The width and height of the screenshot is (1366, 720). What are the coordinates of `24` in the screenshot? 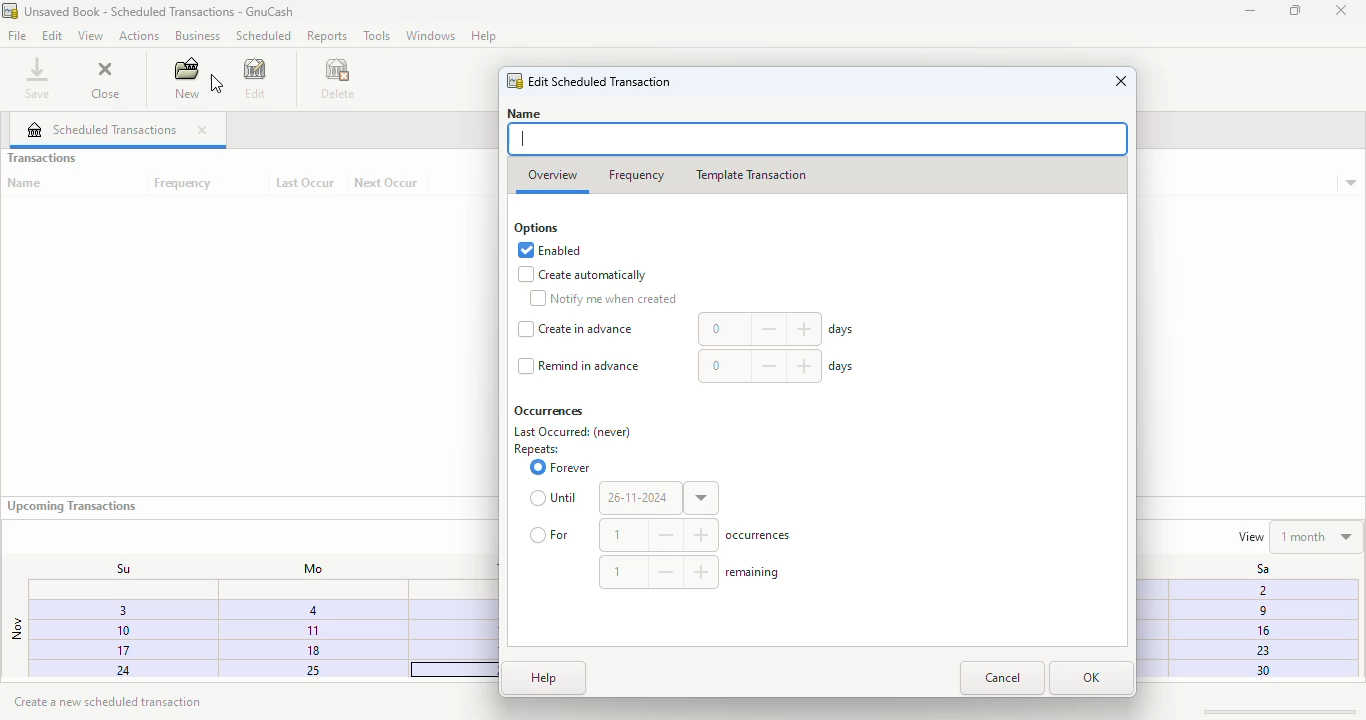 It's located at (103, 671).